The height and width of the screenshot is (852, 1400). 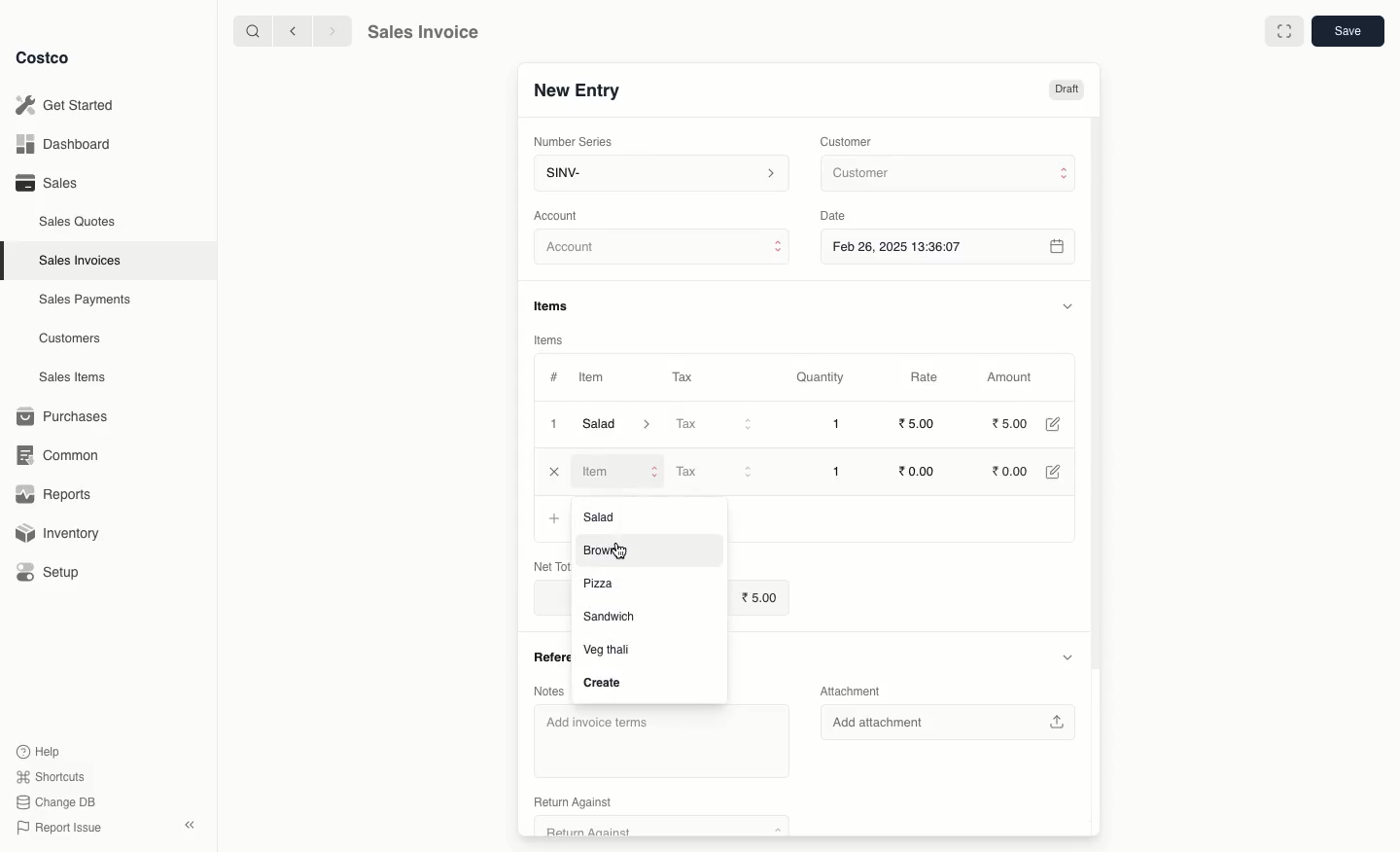 What do you see at coordinates (661, 737) in the screenshot?
I see `‘Add invoice terms` at bounding box center [661, 737].